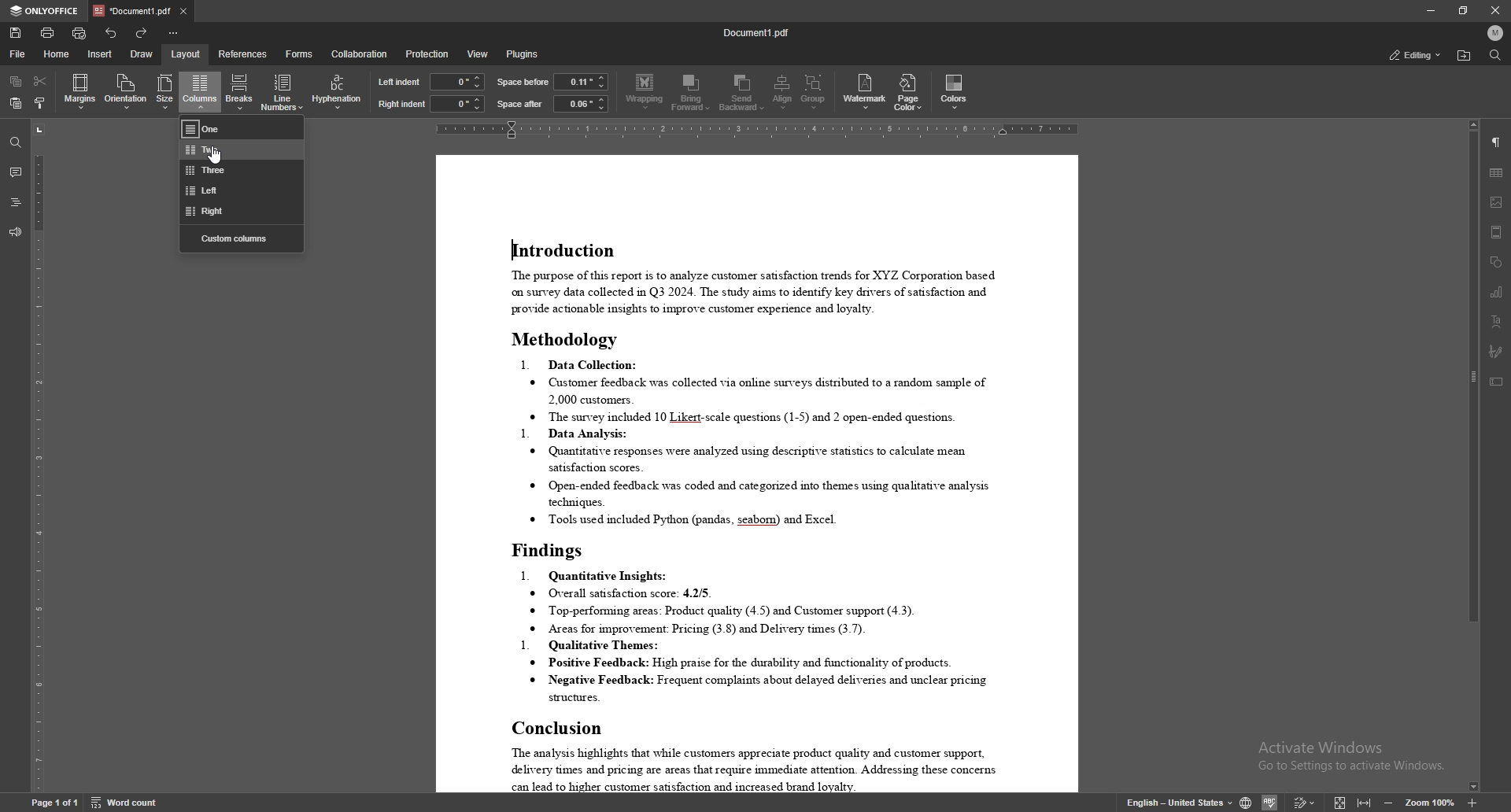 This screenshot has width=1511, height=812. Describe the element at coordinates (47, 33) in the screenshot. I see `print` at that location.